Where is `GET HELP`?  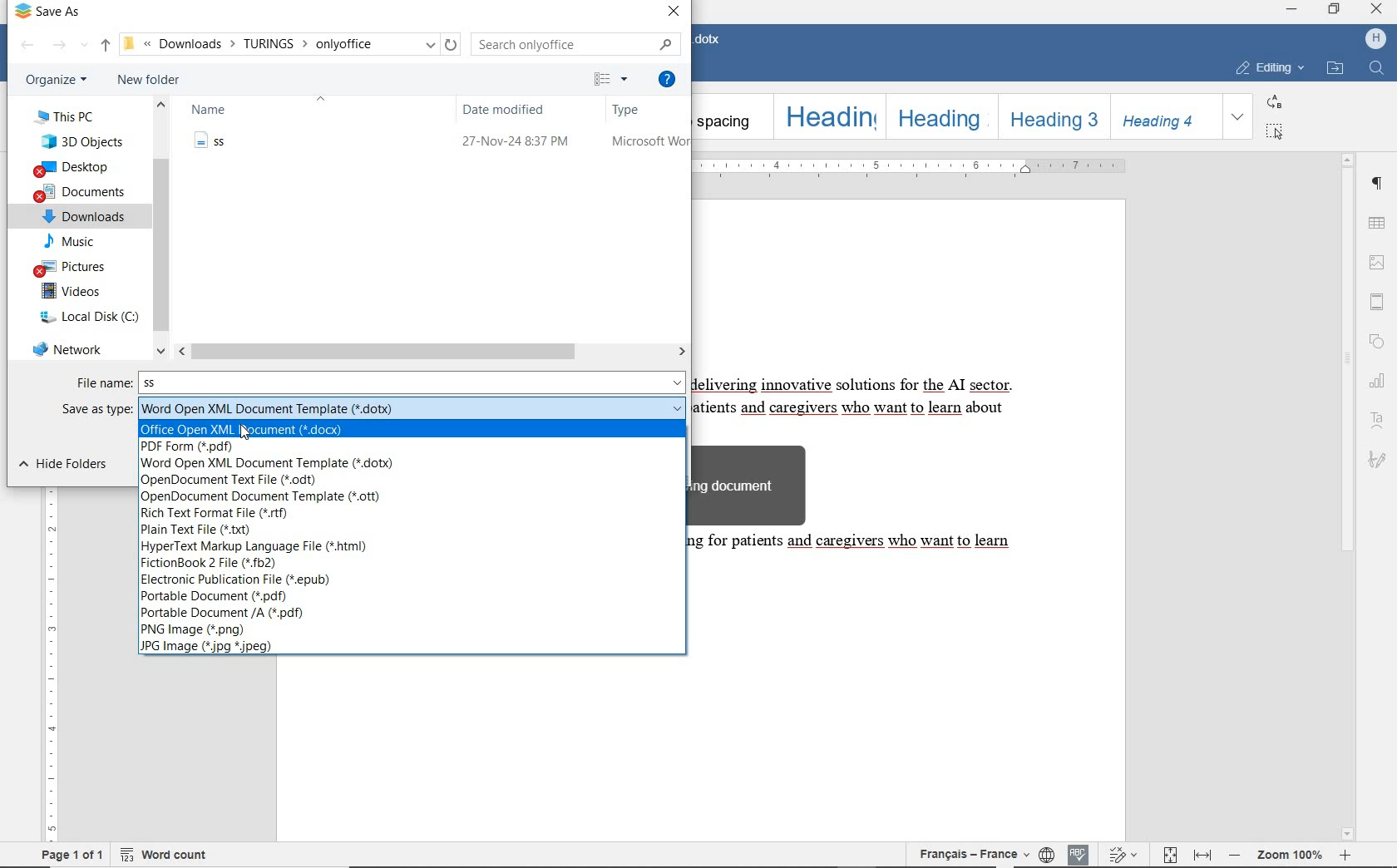 GET HELP is located at coordinates (667, 79).